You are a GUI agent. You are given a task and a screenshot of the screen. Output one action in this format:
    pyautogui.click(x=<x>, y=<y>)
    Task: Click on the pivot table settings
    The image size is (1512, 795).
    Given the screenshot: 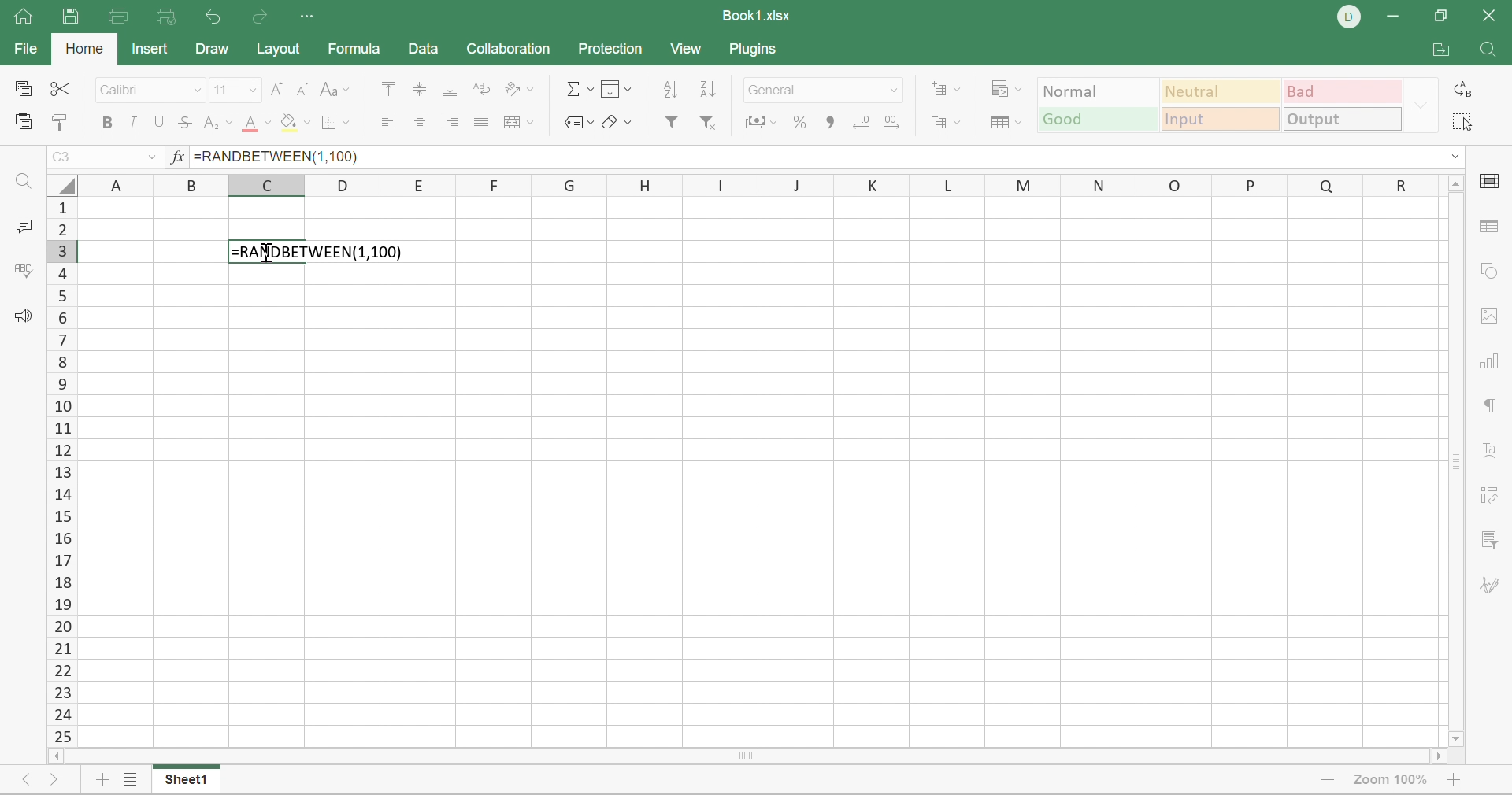 What is the action you would take?
    pyautogui.click(x=1488, y=494)
    